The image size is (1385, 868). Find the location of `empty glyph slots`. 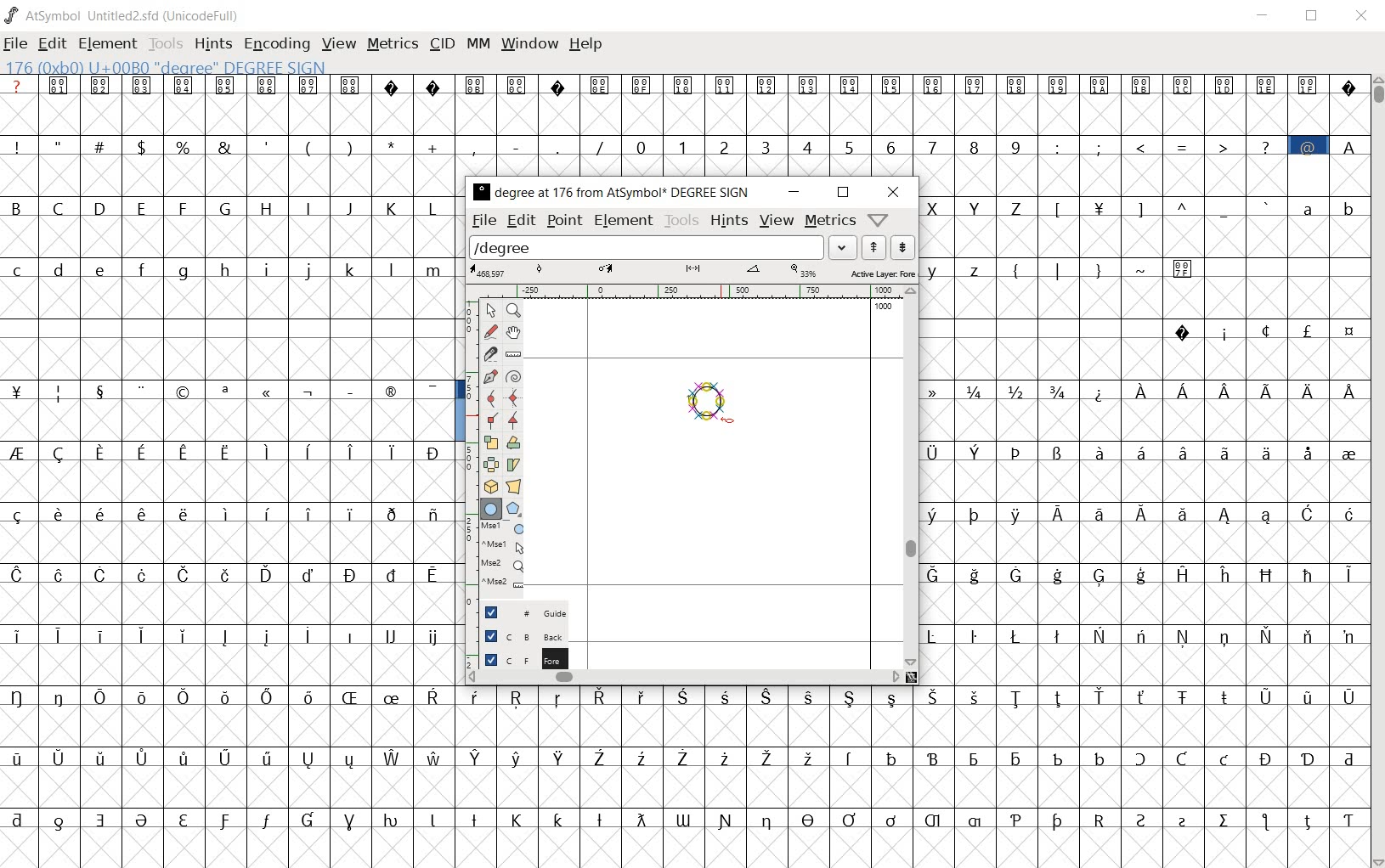

empty glyph slots is located at coordinates (232, 358).